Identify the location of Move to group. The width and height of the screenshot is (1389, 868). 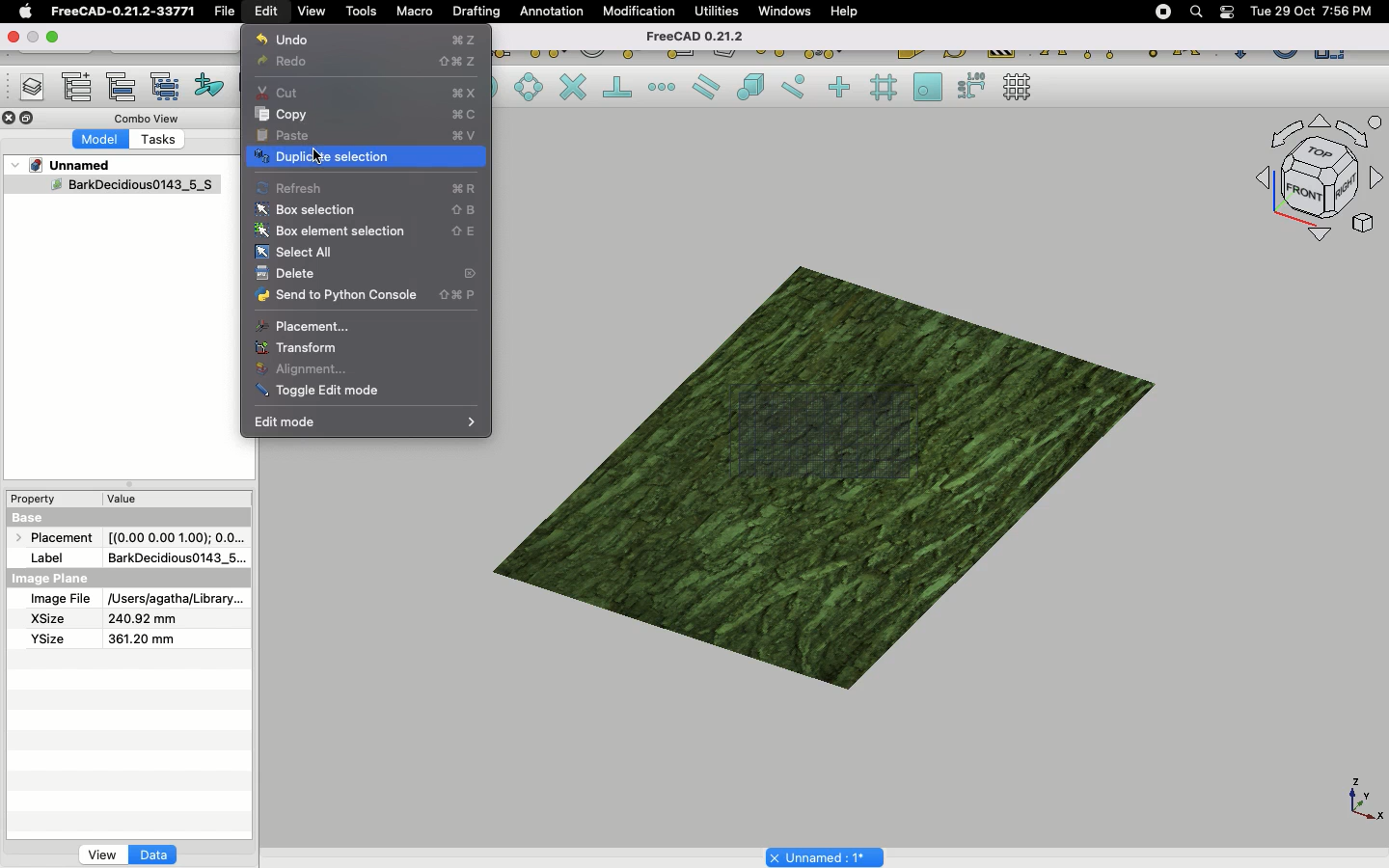
(124, 87).